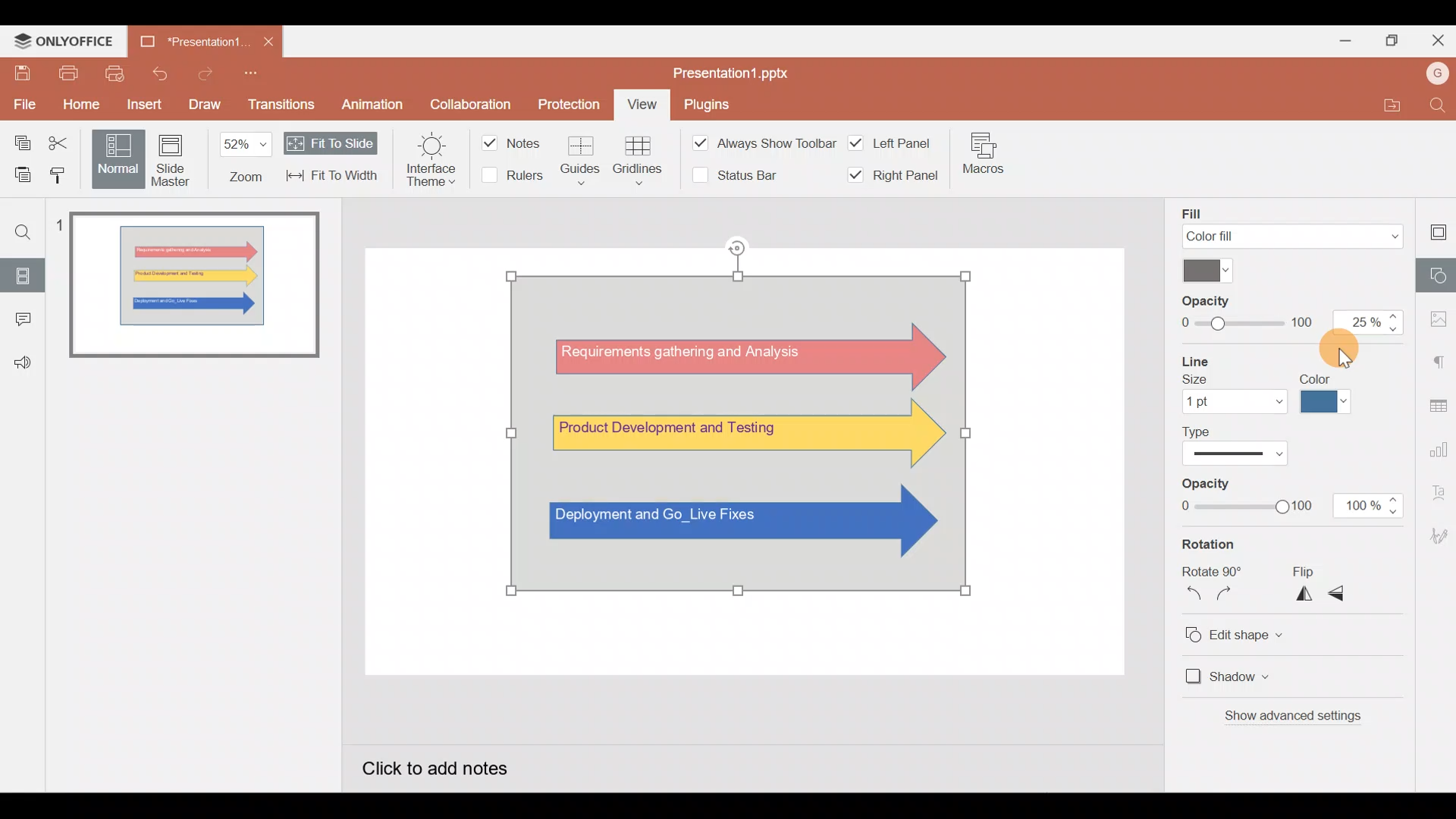 This screenshot has height=819, width=1456. Describe the element at coordinates (890, 176) in the screenshot. I see `Right panel` at that location.